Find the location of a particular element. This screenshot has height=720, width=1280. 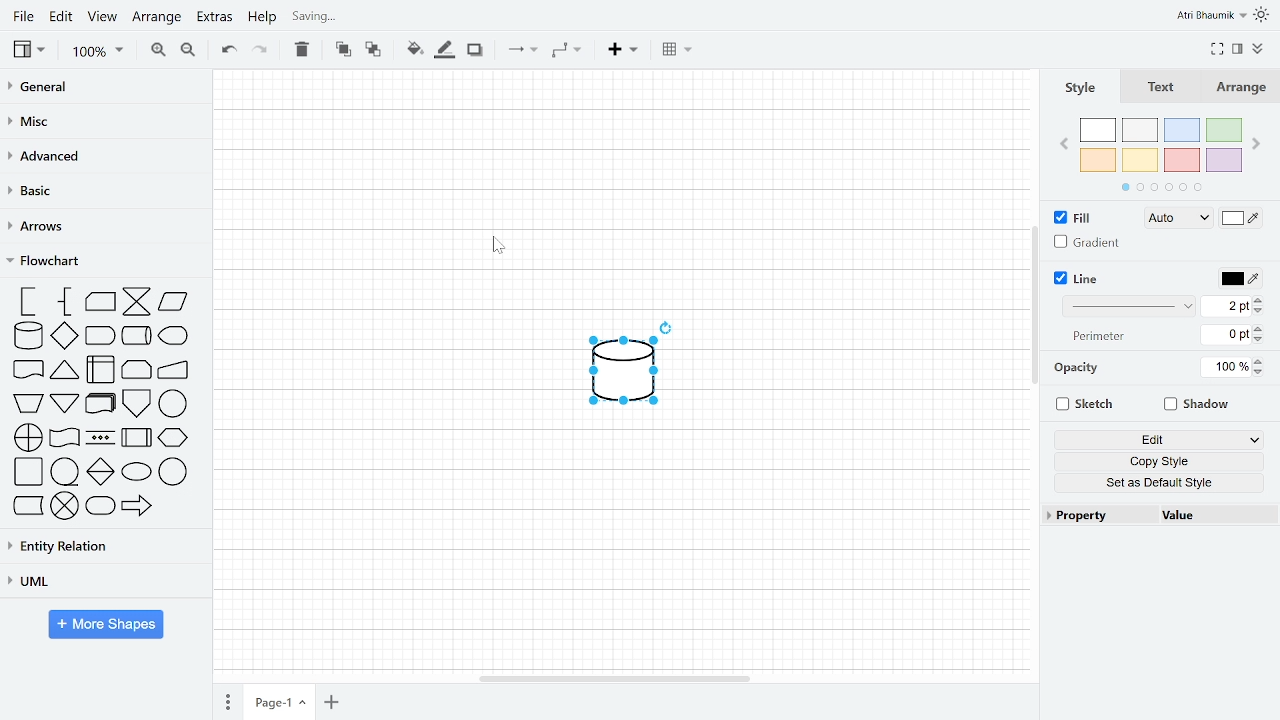

green is located at coordinates (1227, 131).